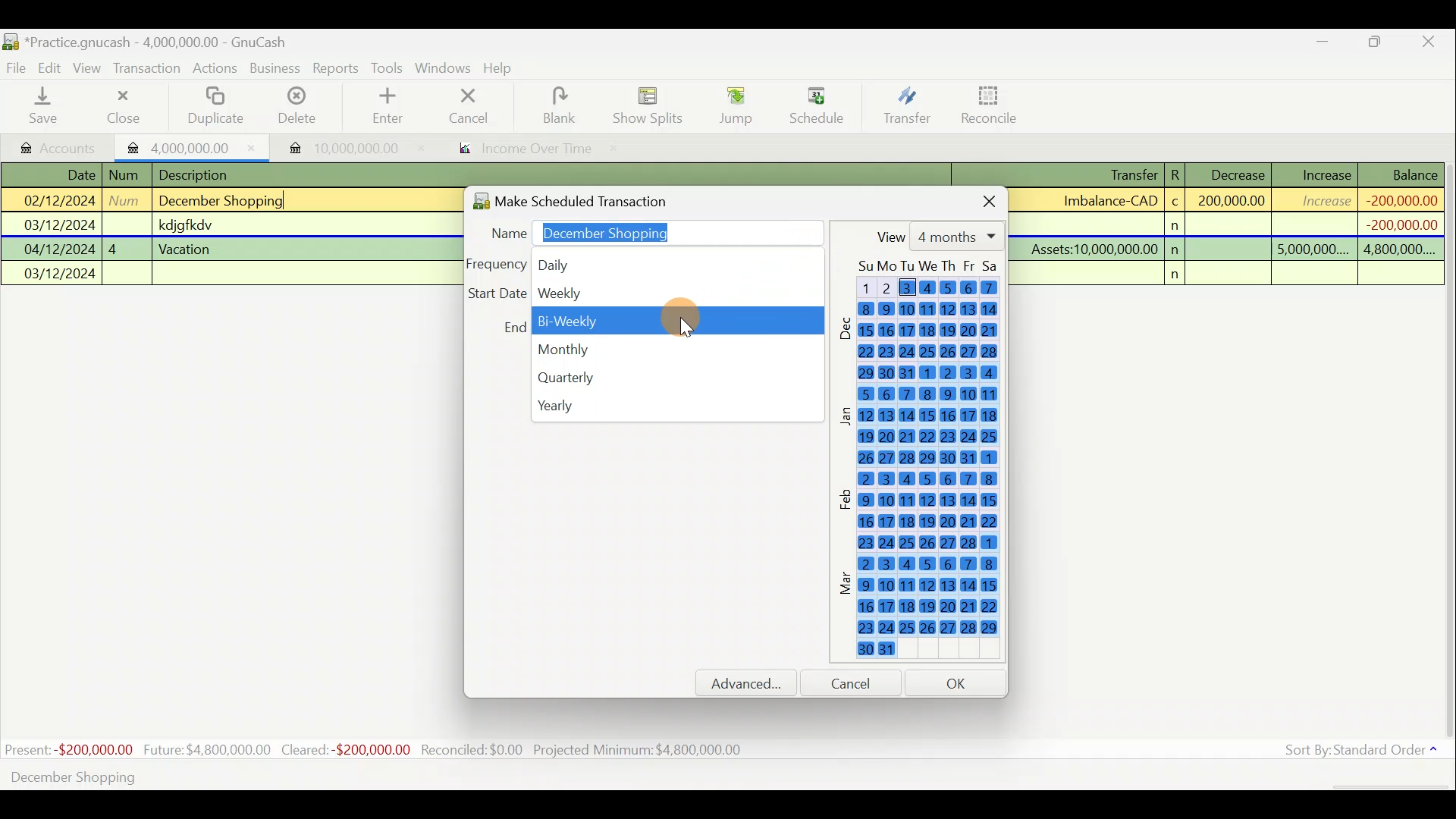 This screenshot has width=1456, height=819. Describe the element at coordinates (673, 406) in the screenshot. I see `Yearly` at that location.